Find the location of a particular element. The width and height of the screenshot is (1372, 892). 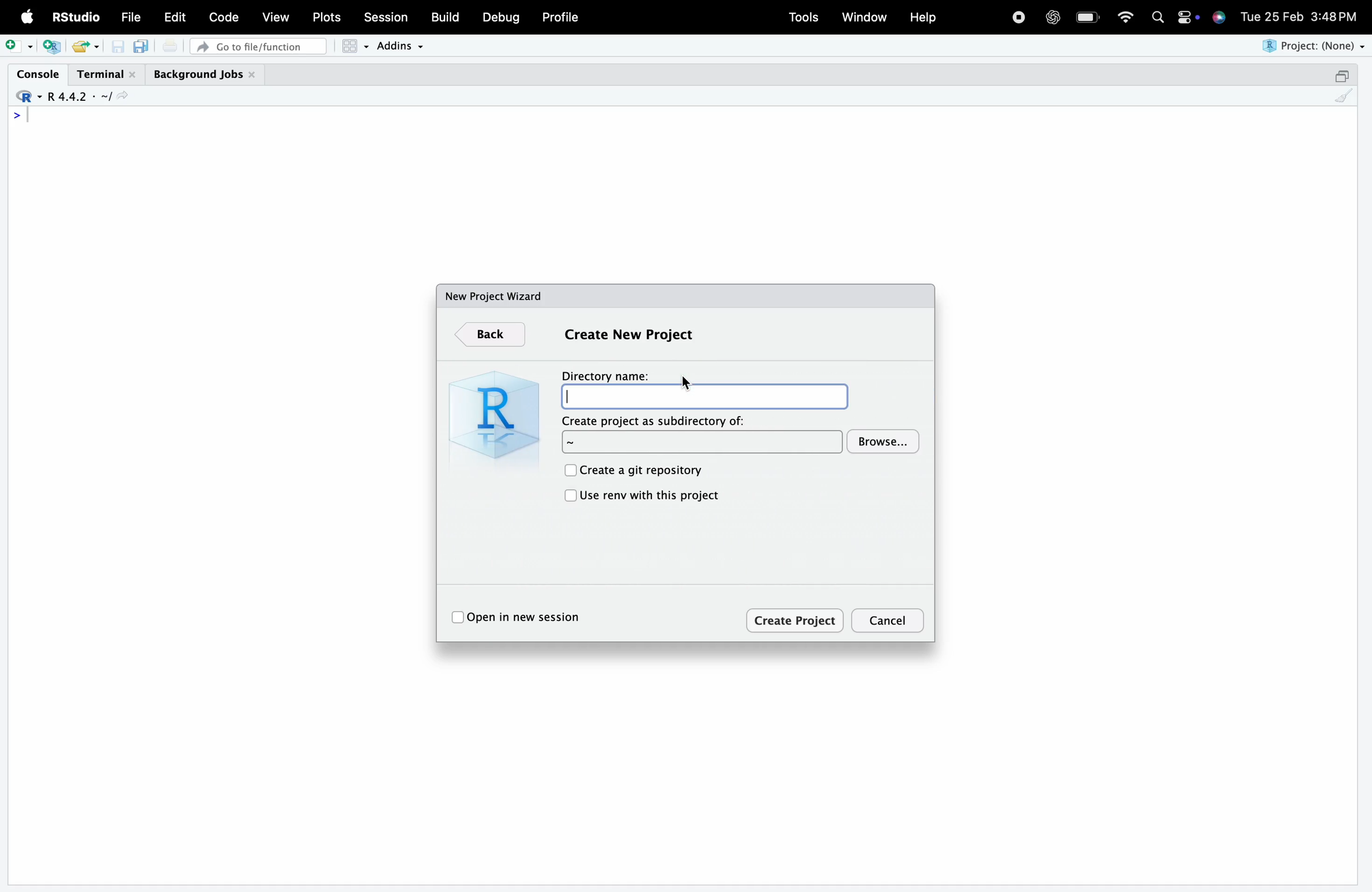

cursor is located at coordinates (687, 383).